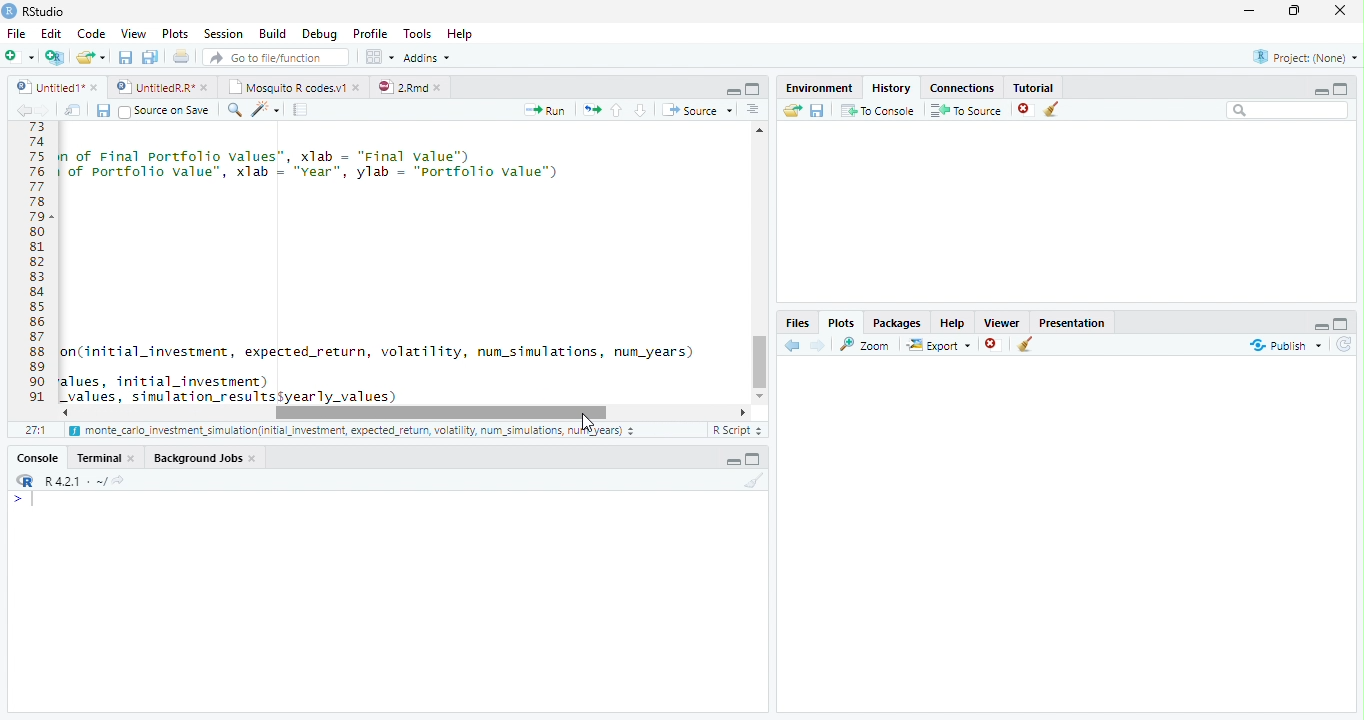 This screenshot has width=1364, height=720. What do you see at coordinates (387, 601) in the screenshot?
I see `Console` at bounding box center [387, 601].